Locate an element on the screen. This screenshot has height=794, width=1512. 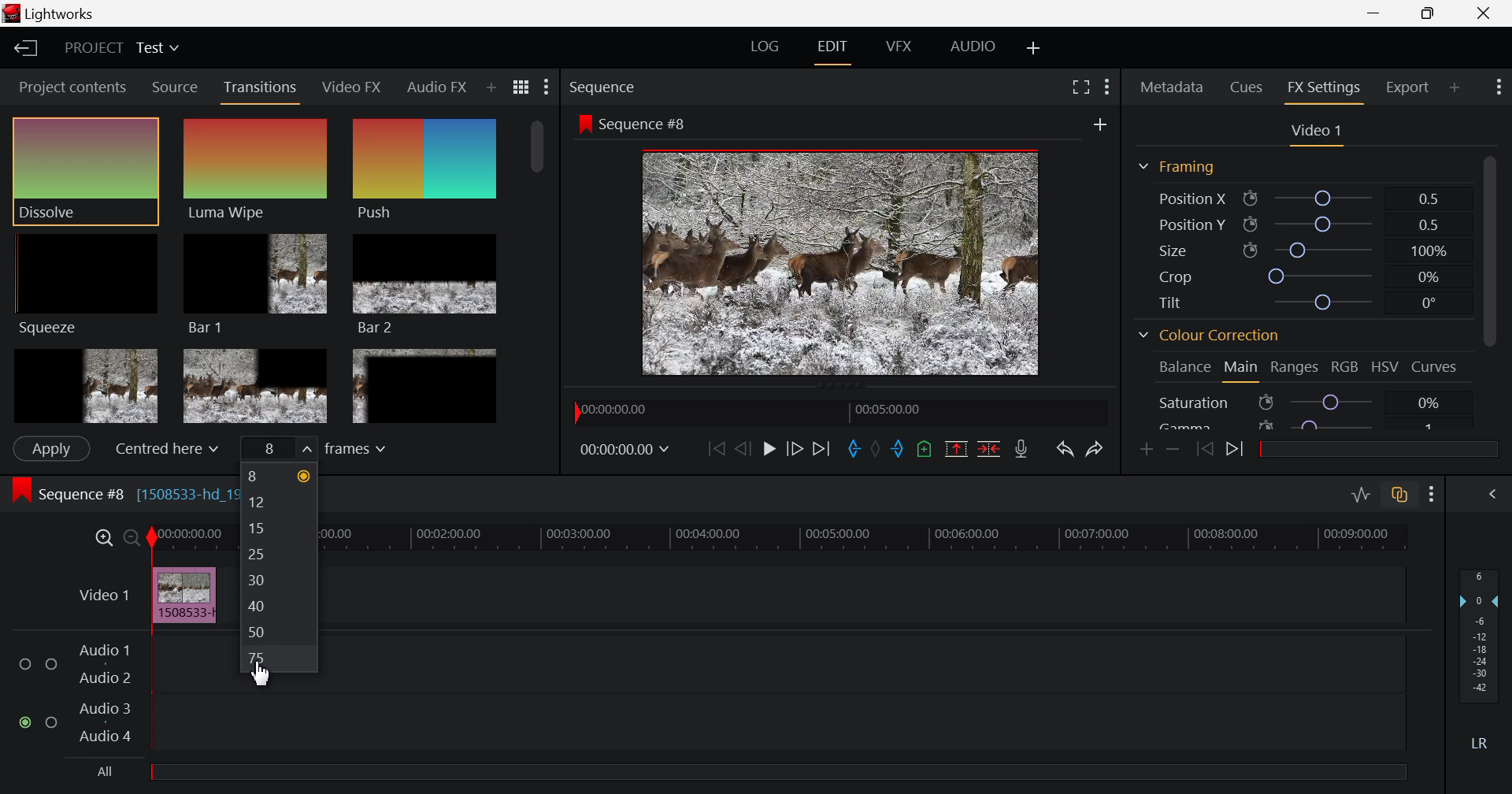
Go Forward is located at coordinates (793, 450).